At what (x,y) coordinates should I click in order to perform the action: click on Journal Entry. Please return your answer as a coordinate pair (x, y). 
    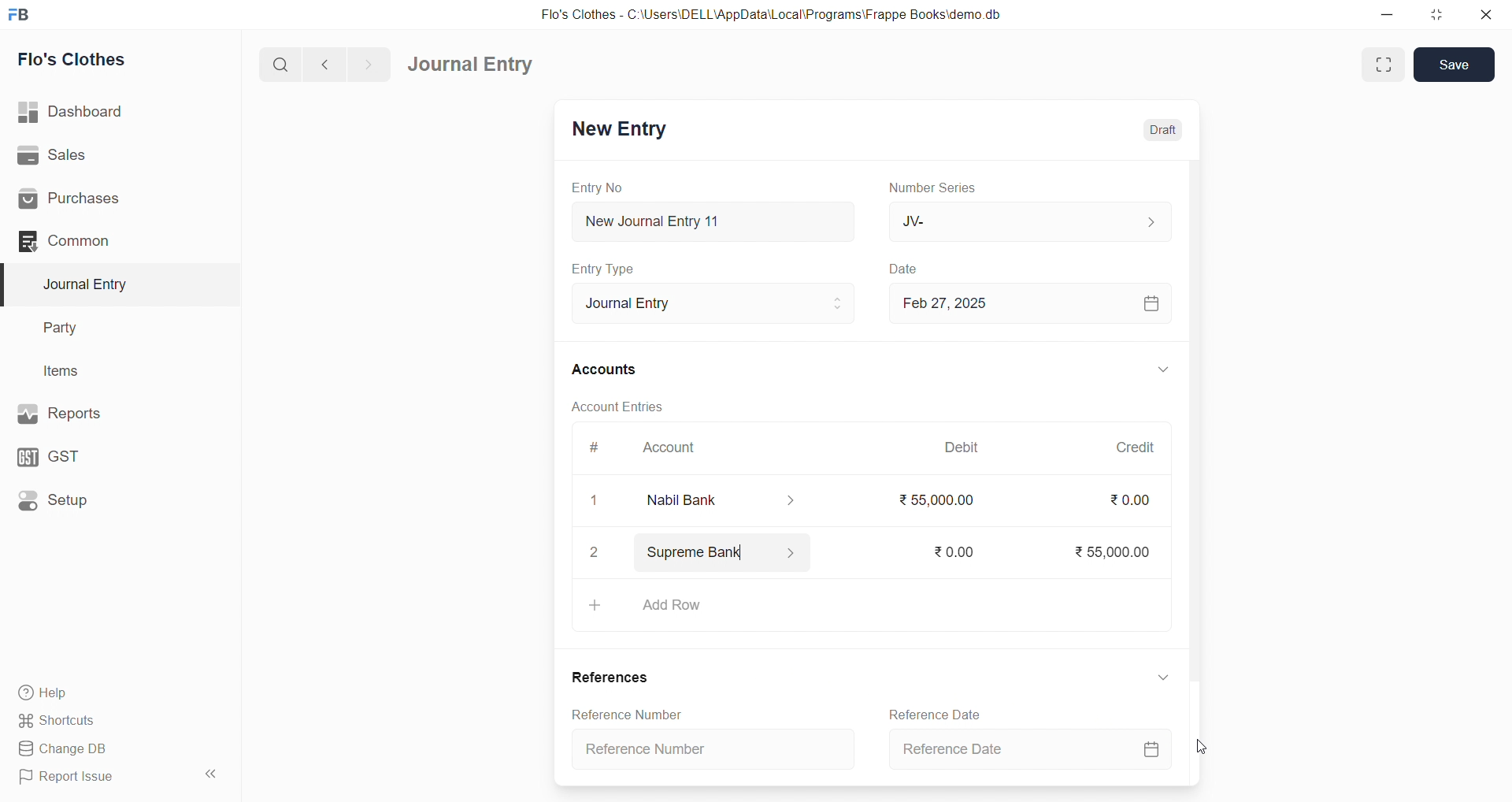
    Looking at the image, I should click on (471, 64).